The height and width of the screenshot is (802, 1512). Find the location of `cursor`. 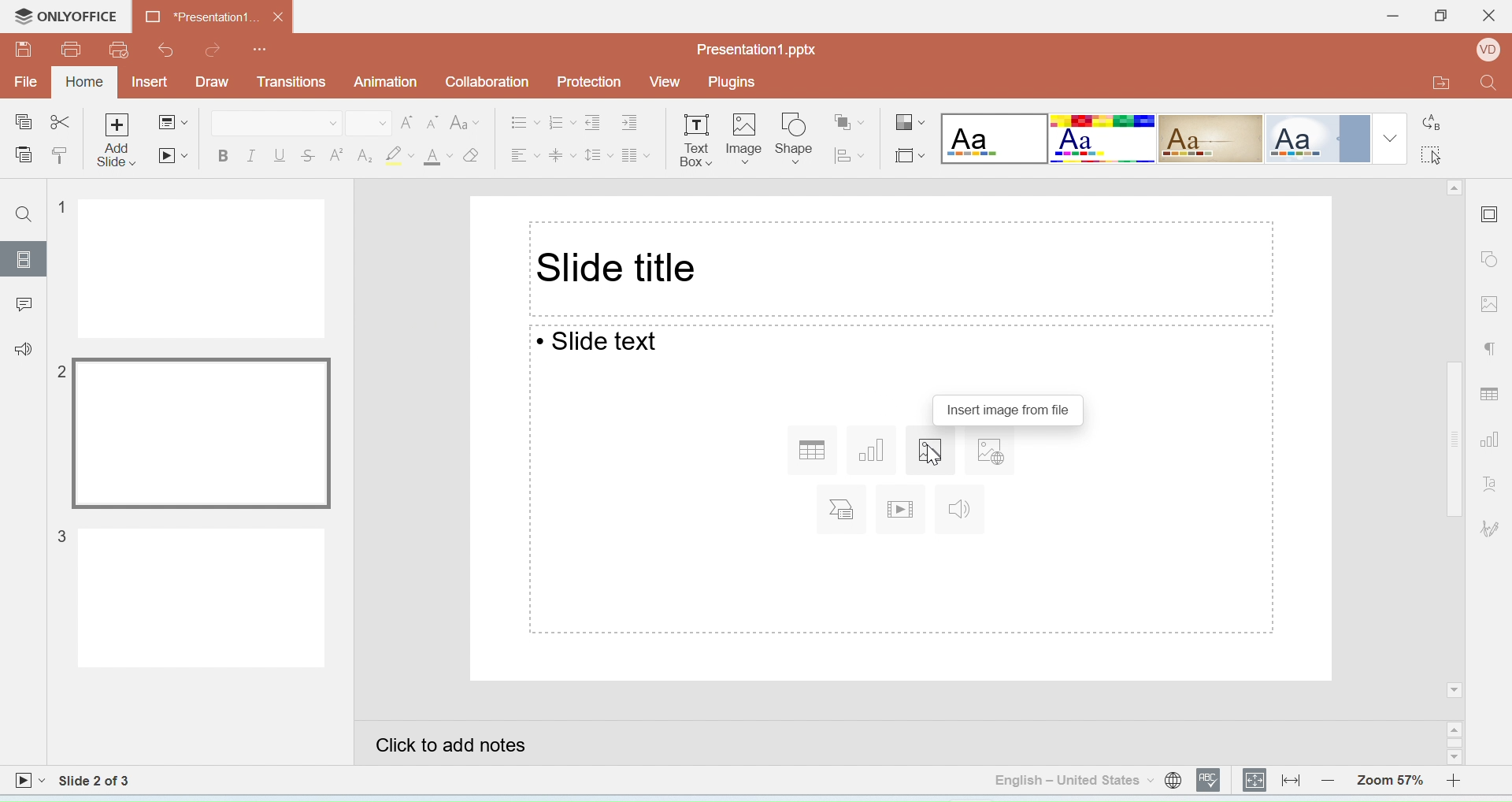

cursor is located at coordinates (930, 453).